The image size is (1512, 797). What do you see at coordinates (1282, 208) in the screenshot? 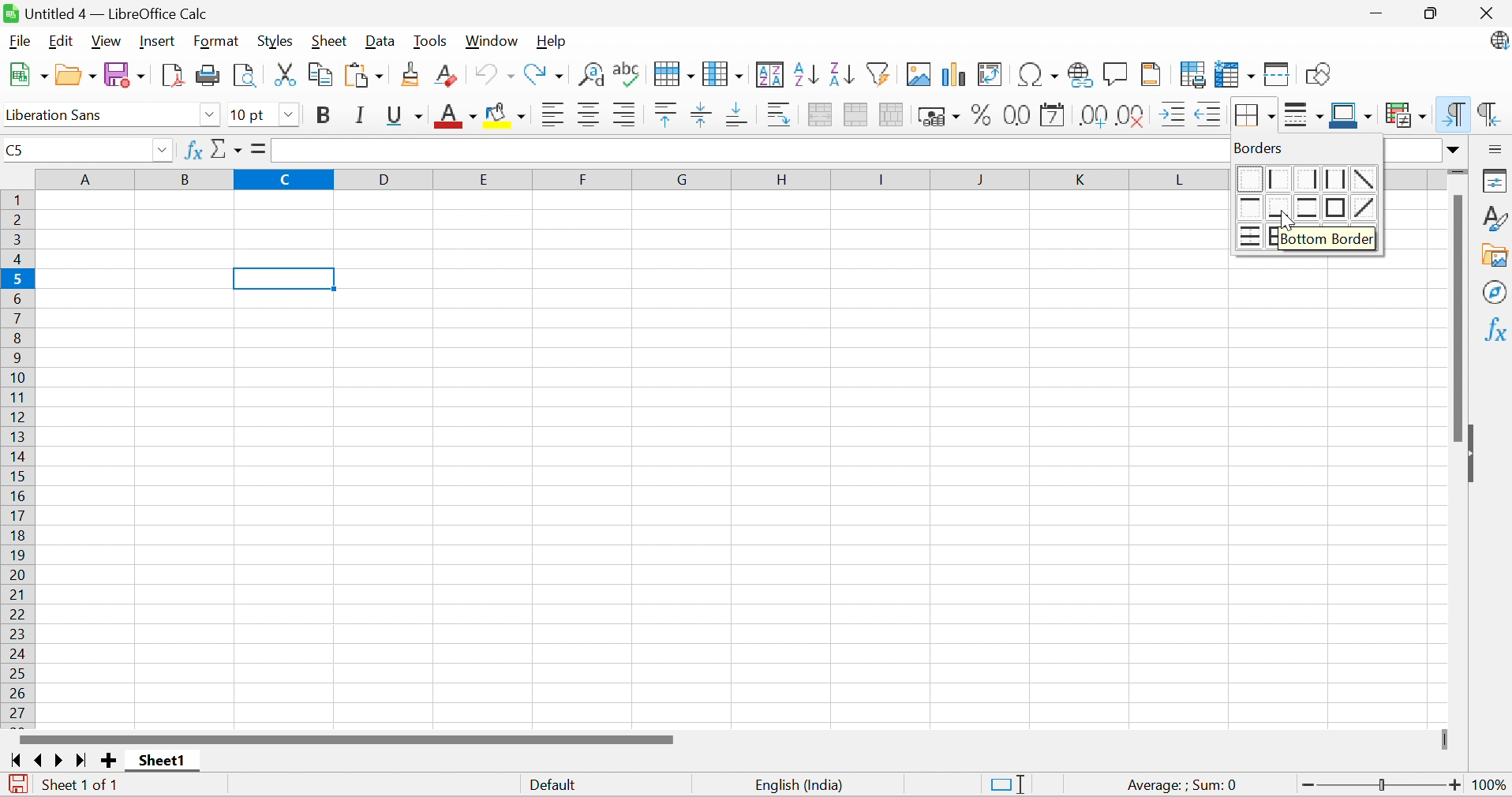
I see `Bottom border` at bounding box center [1282, 208].